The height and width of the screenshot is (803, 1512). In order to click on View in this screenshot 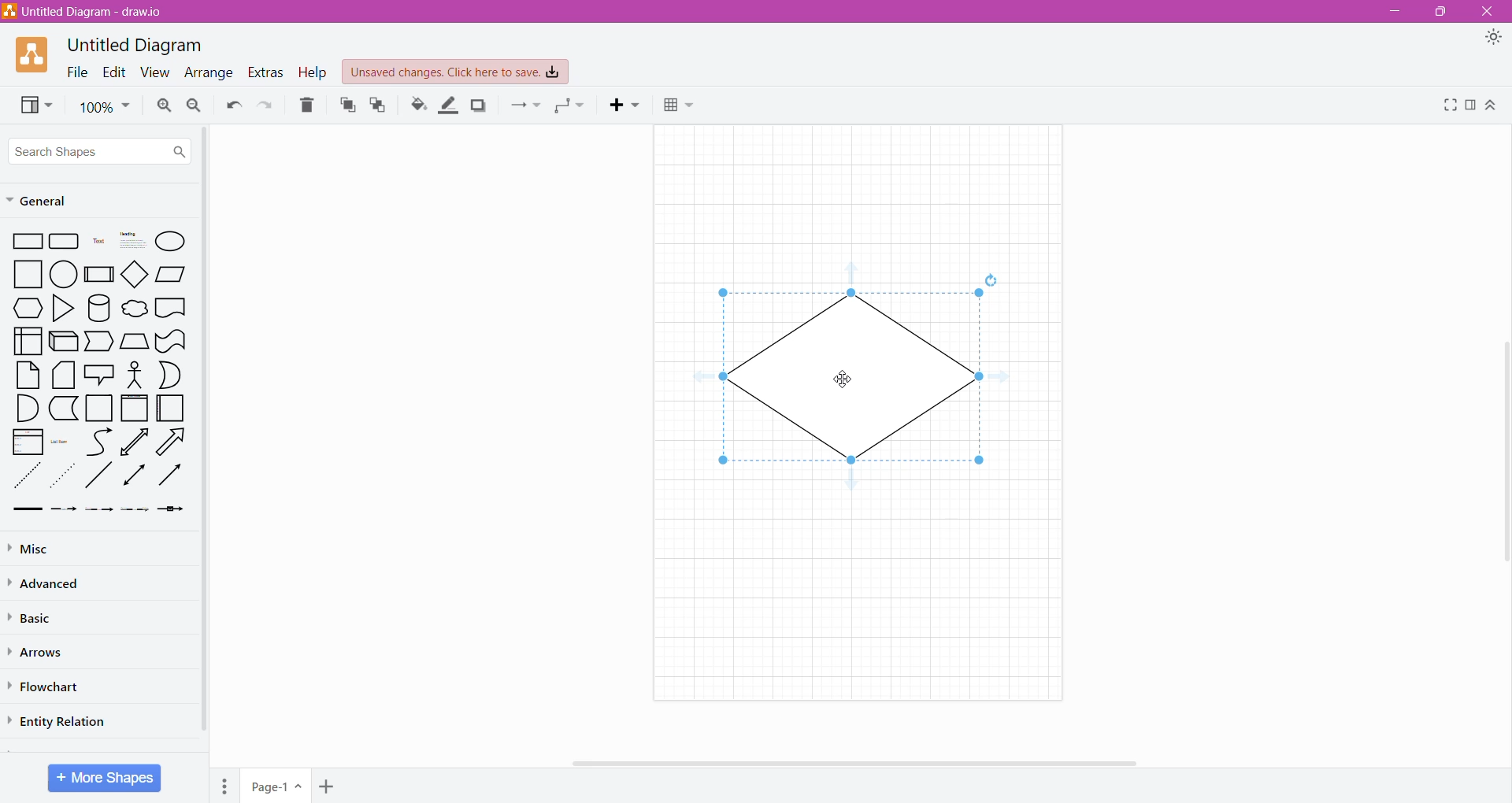, I will do `click(154, 73)`.